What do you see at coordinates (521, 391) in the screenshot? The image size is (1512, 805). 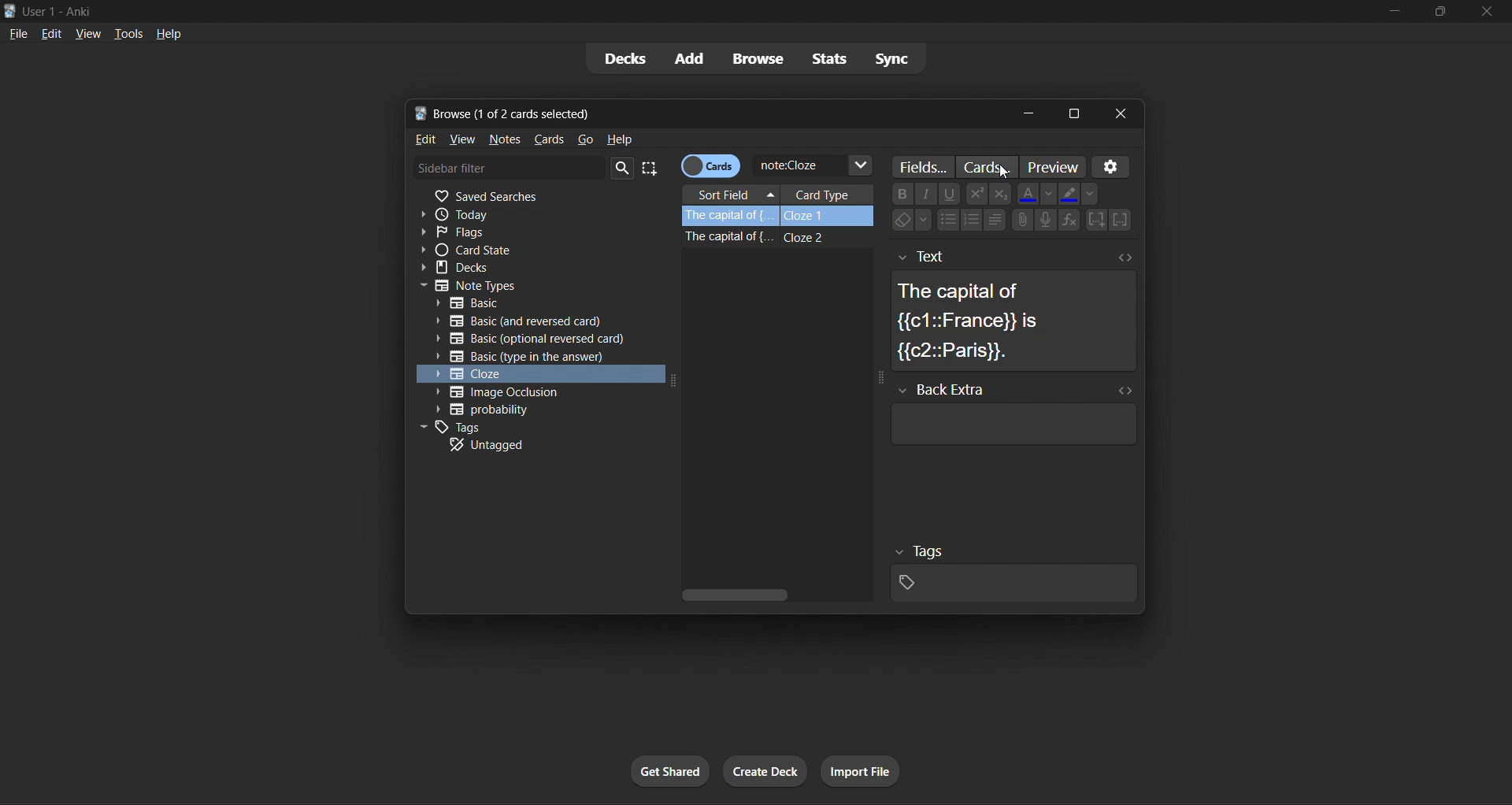 I see `image occlusion` at bounding box center [521, 391].